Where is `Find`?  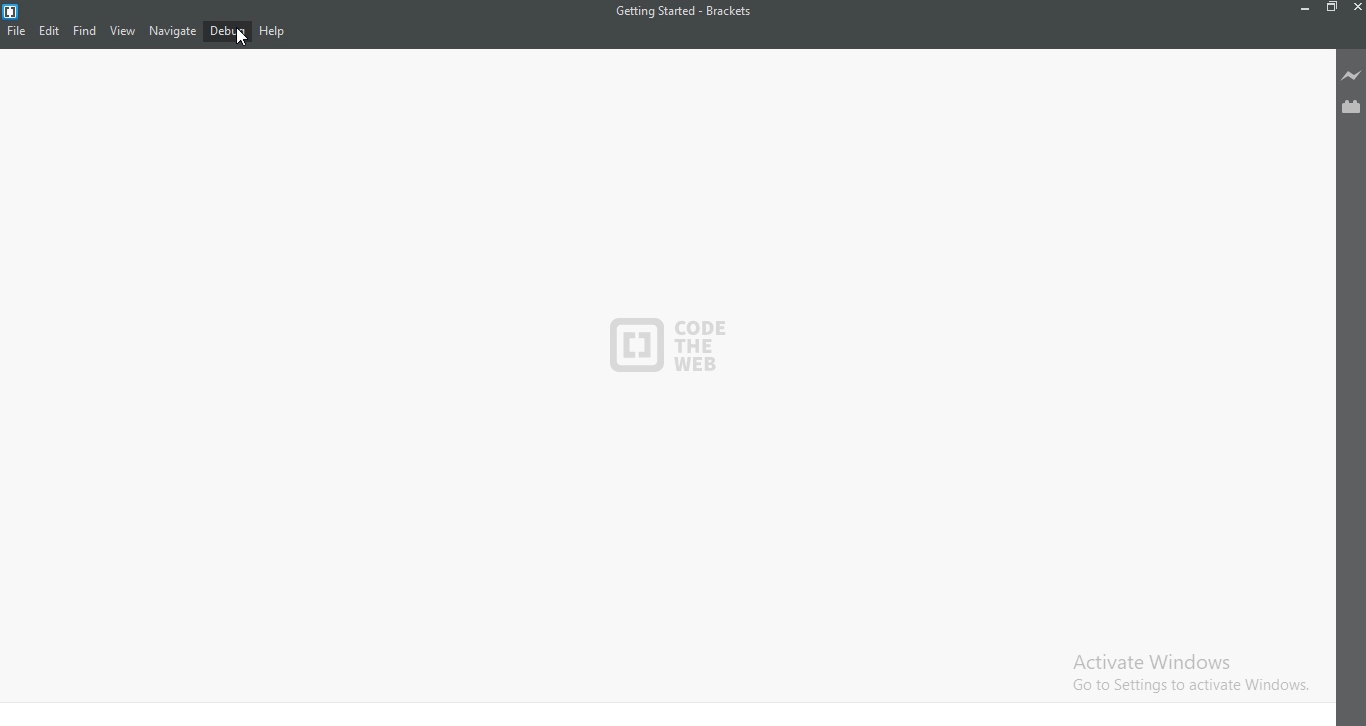
Find is located at coordinates (84, 30).